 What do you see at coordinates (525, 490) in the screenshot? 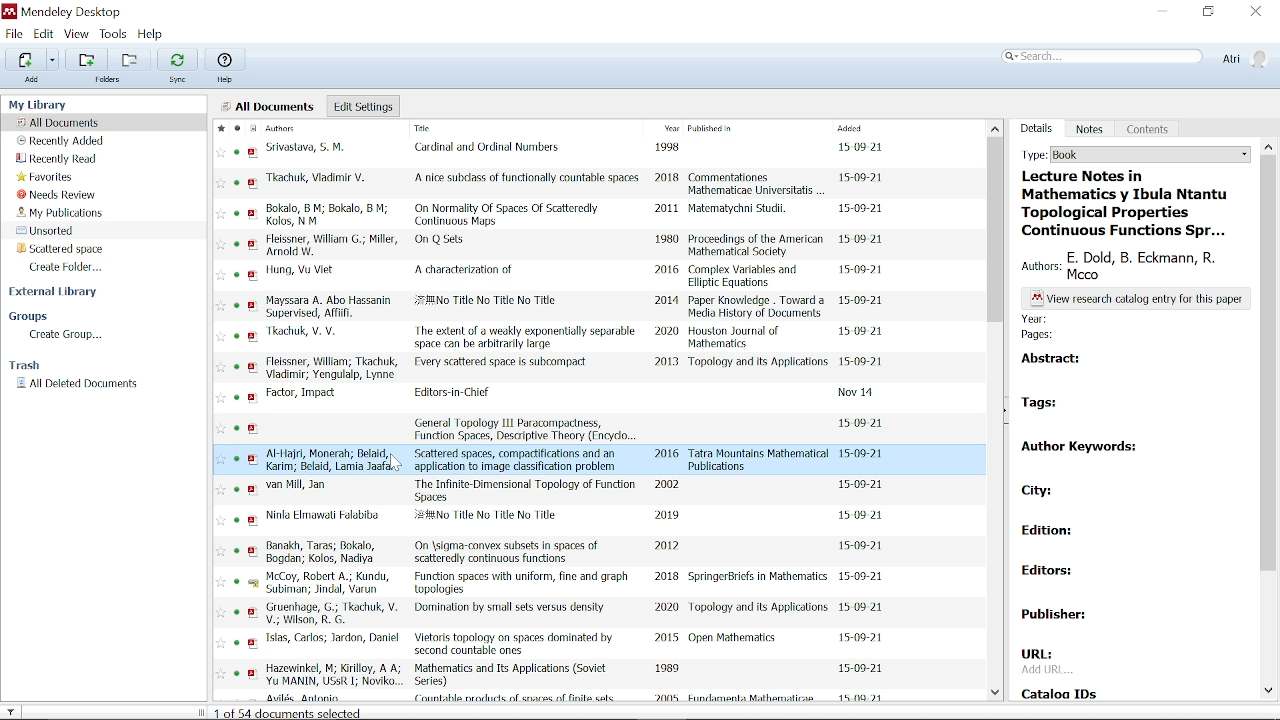
I see `title` at bounding box center [525, 490].